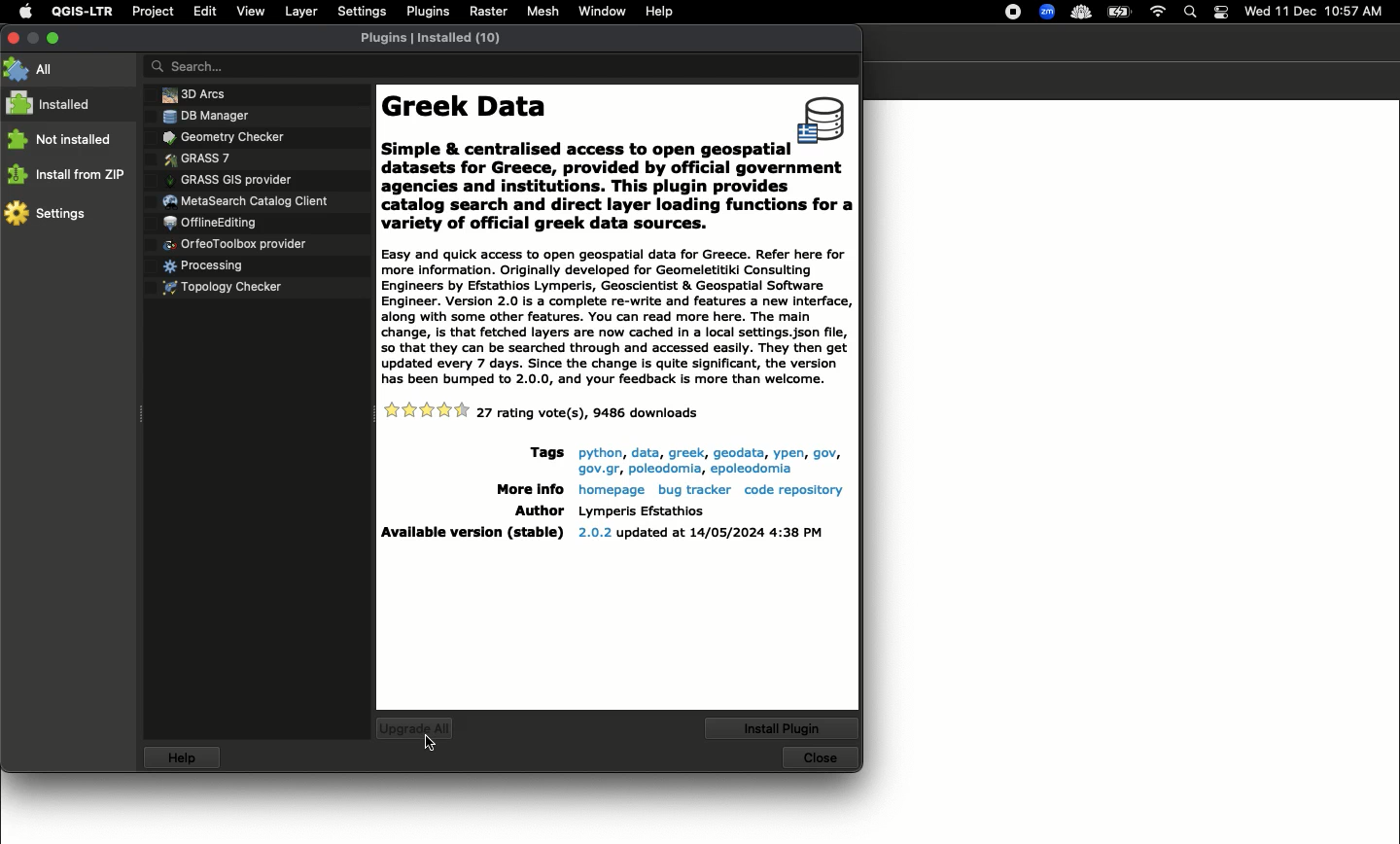  I want to click on Extension, so click(1049, 13).